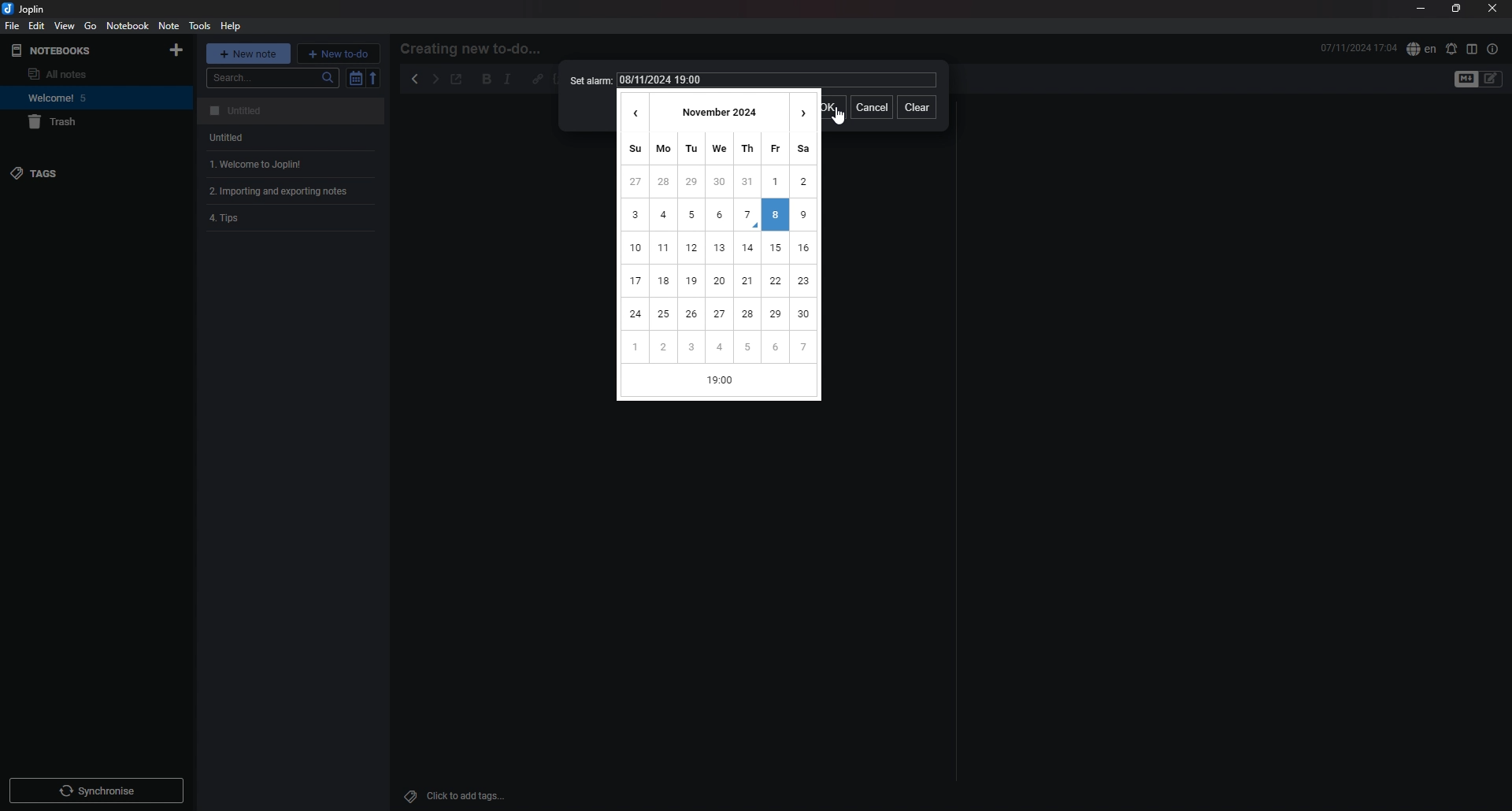 This screenshot has height=811, width=1512. I want to click on toggle editors, so click(1492, 79).